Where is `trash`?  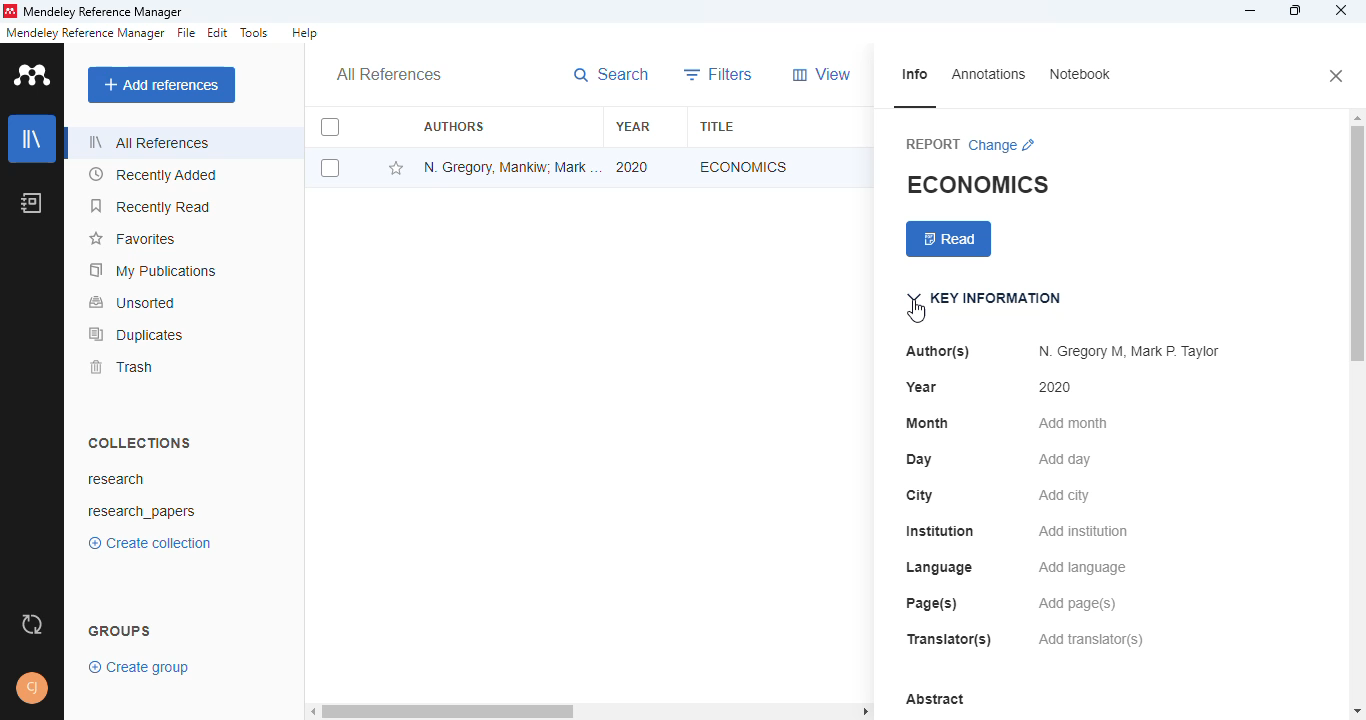
trash is located at coordinates (120, 368).